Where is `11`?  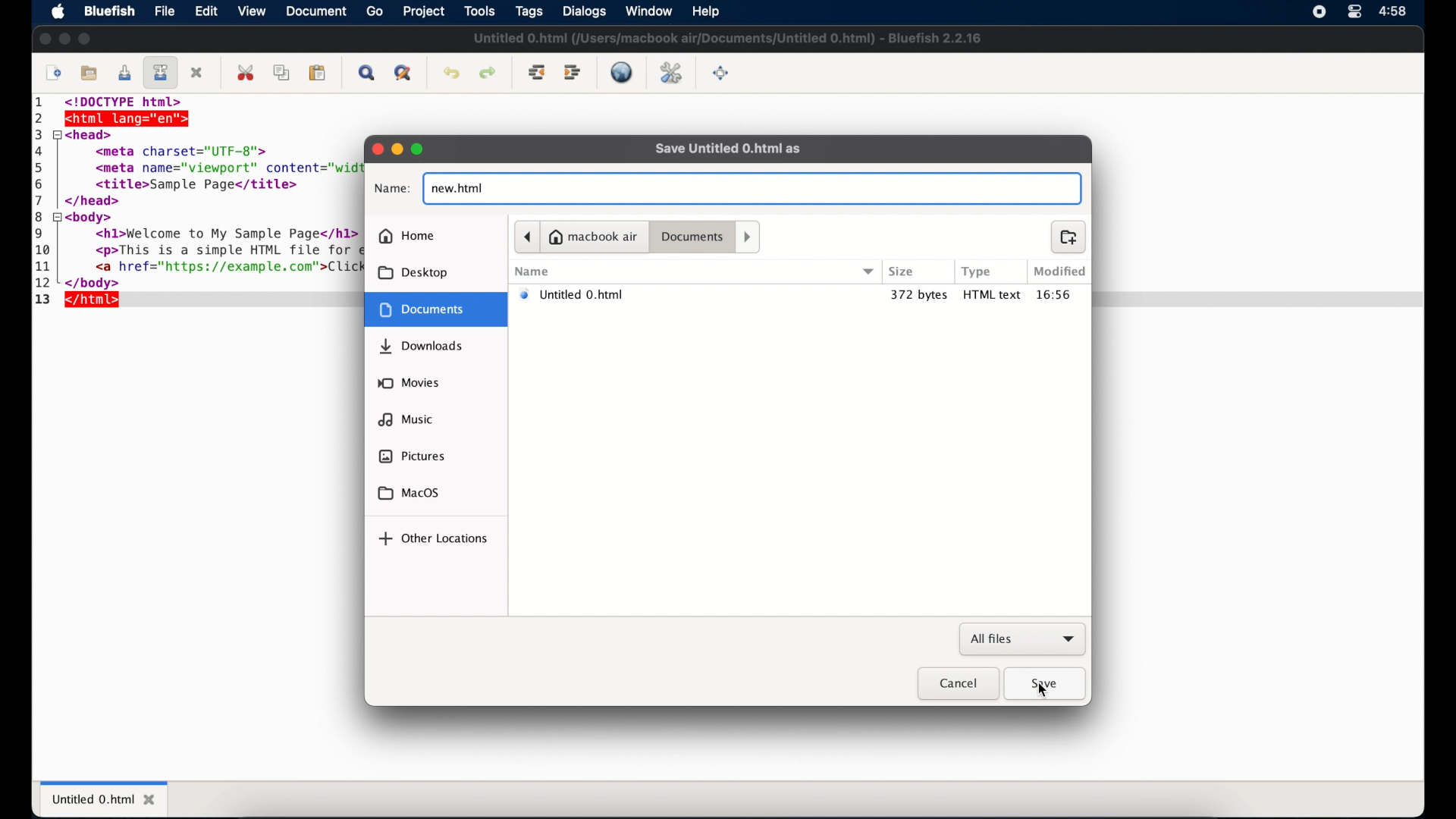
11 is located at coordinates (45, 266).